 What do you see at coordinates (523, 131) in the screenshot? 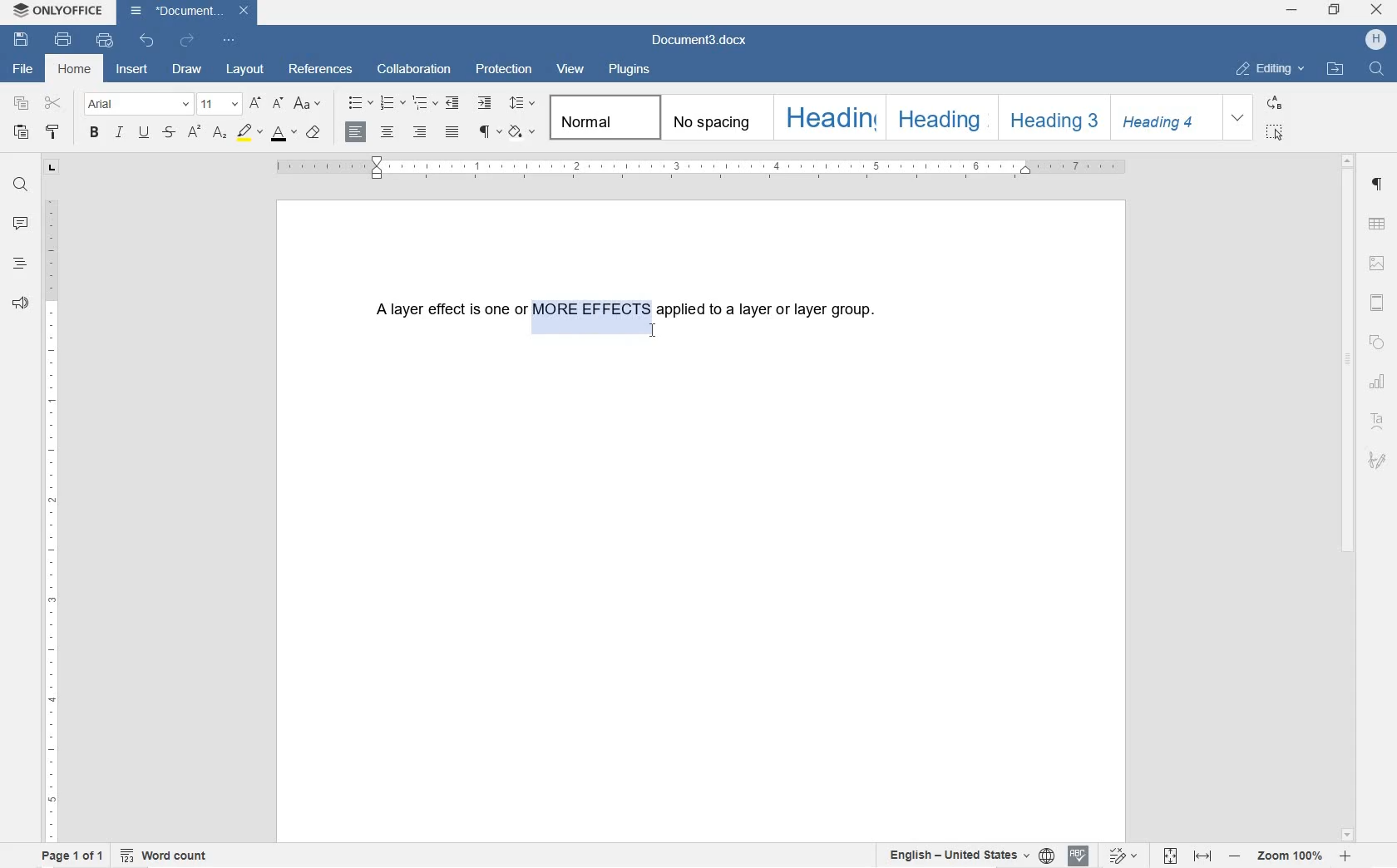
I see `SHADING` at bounding box center [523, 131].